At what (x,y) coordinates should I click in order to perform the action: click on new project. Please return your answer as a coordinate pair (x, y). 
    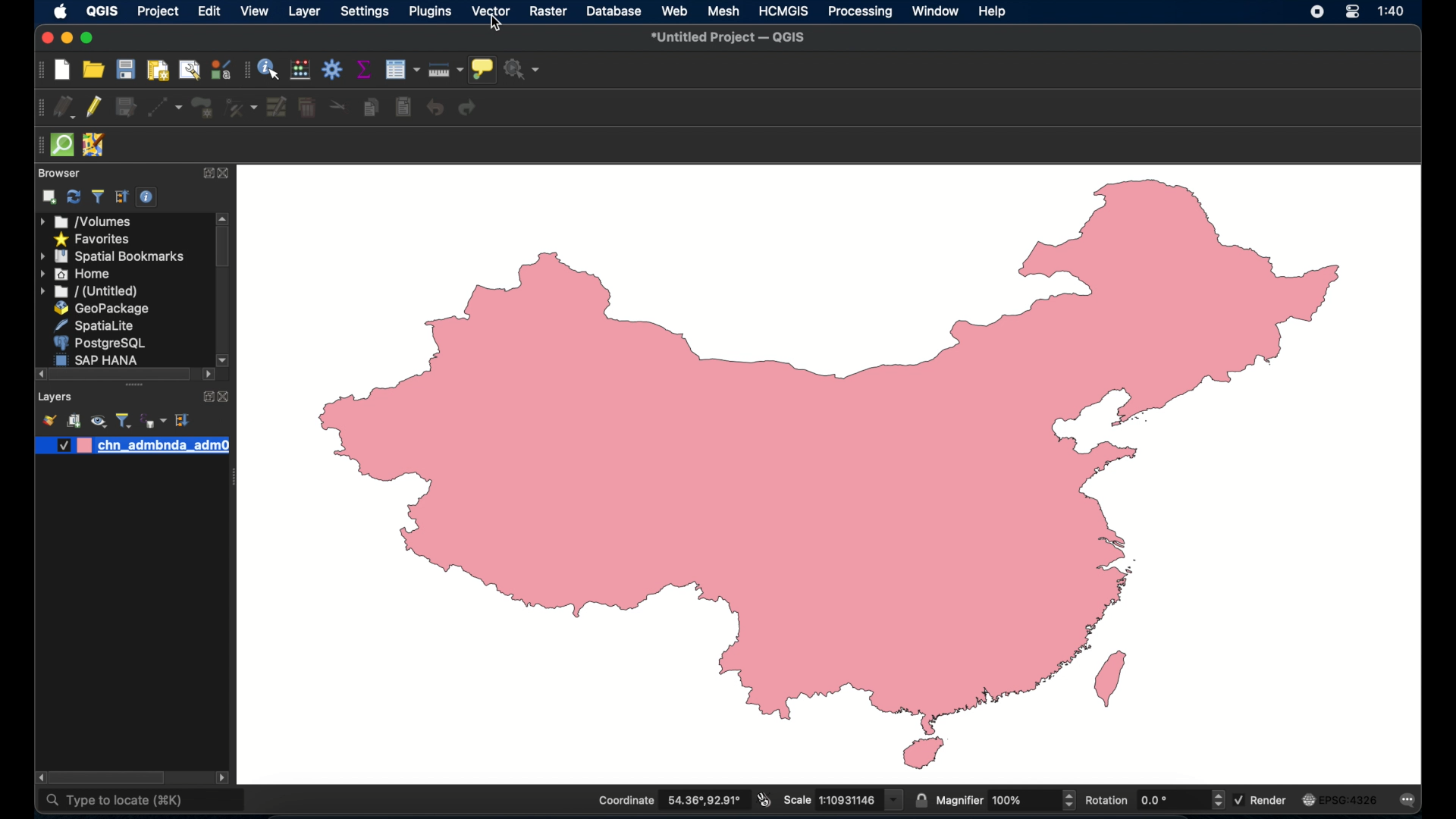
    Looking at the image, I should click on (63, 70).